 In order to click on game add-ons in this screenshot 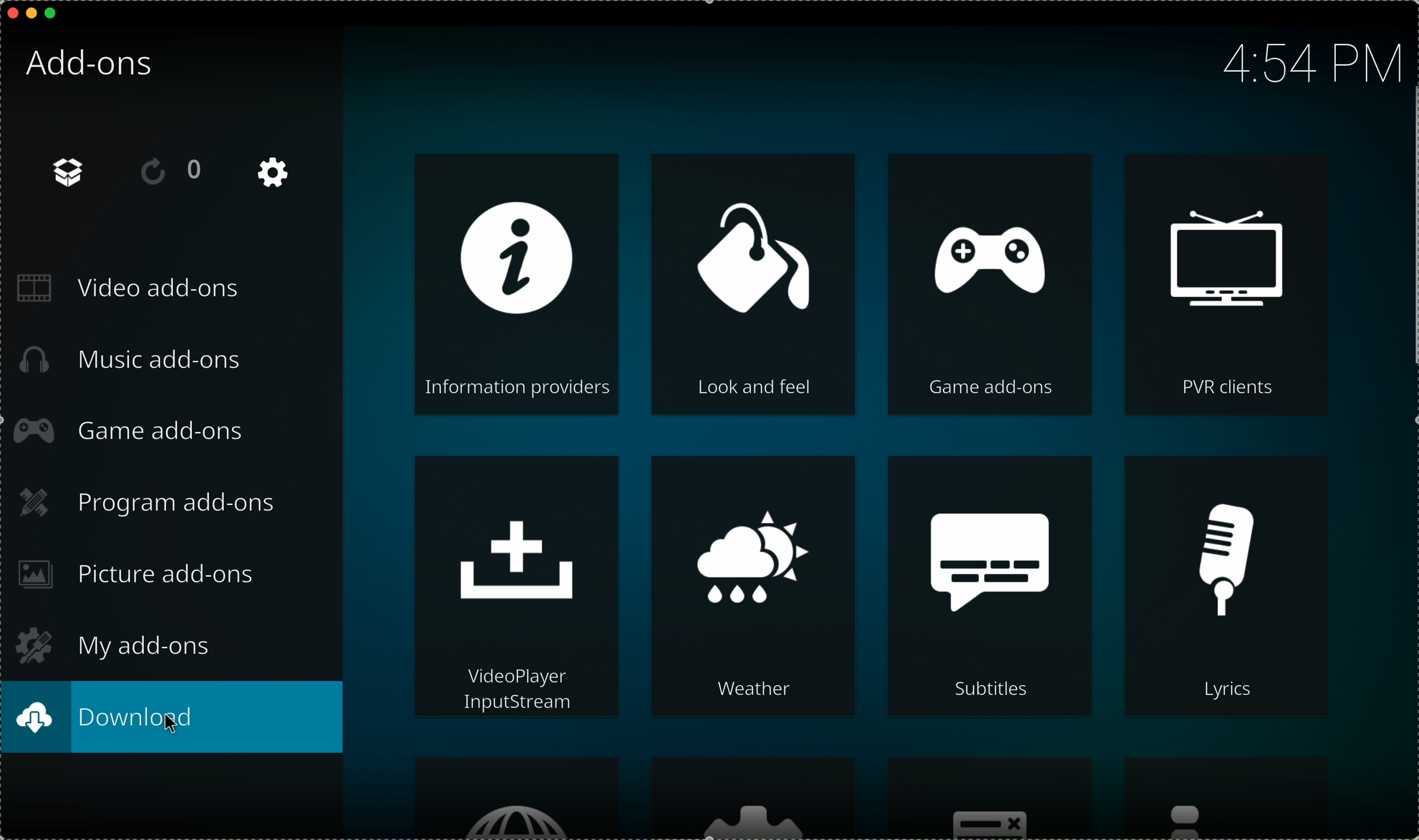, I will do `click(987, 284)`.